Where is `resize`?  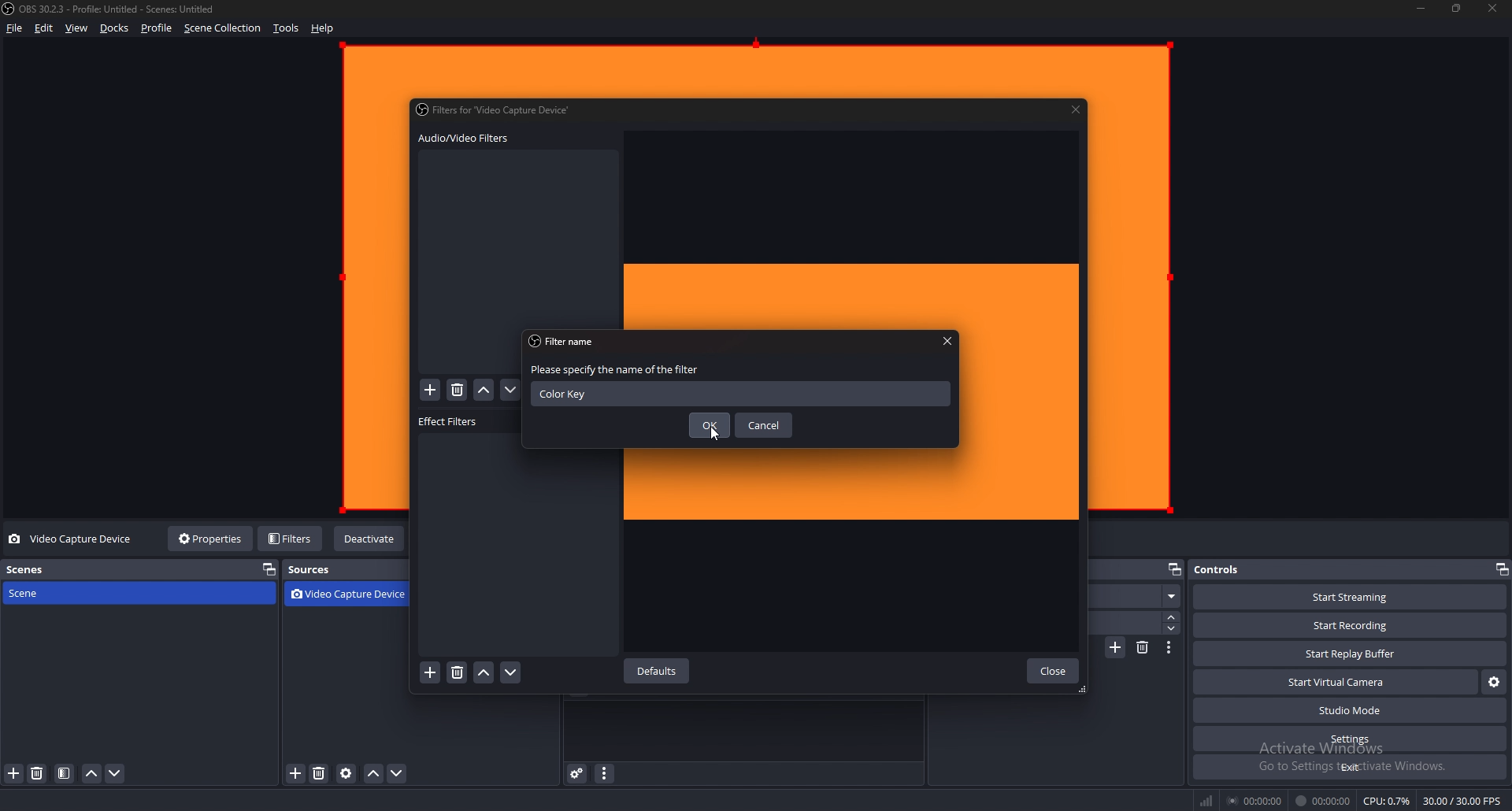 resize is located at coordinates (1457, 9).